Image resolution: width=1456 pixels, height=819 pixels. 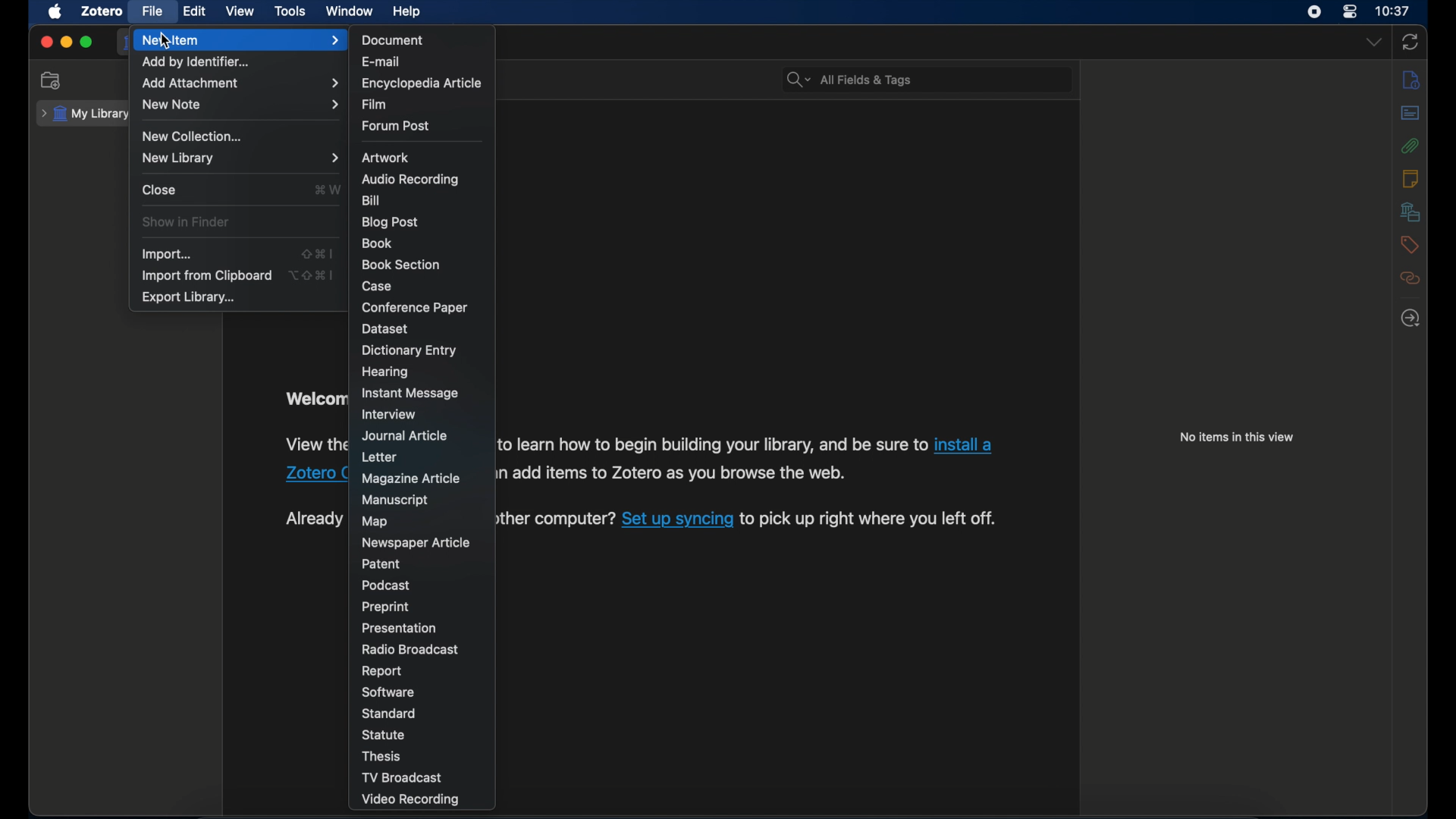 What do you see at coordinates (385, 583) in the screenshot?
I see `podcast` at bounding box center [385, 583].